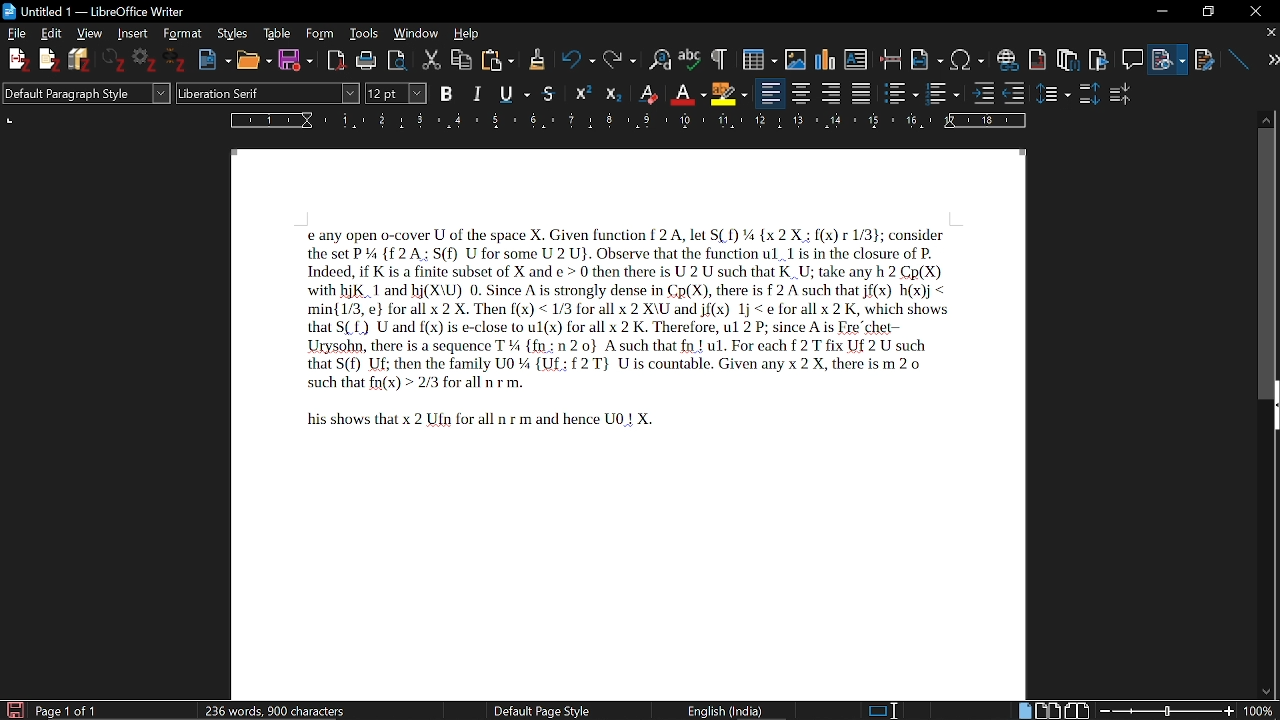 Image resolution: width=1280 pixels, height=720 pixels. I want to click on Insert, so click(131, 34).